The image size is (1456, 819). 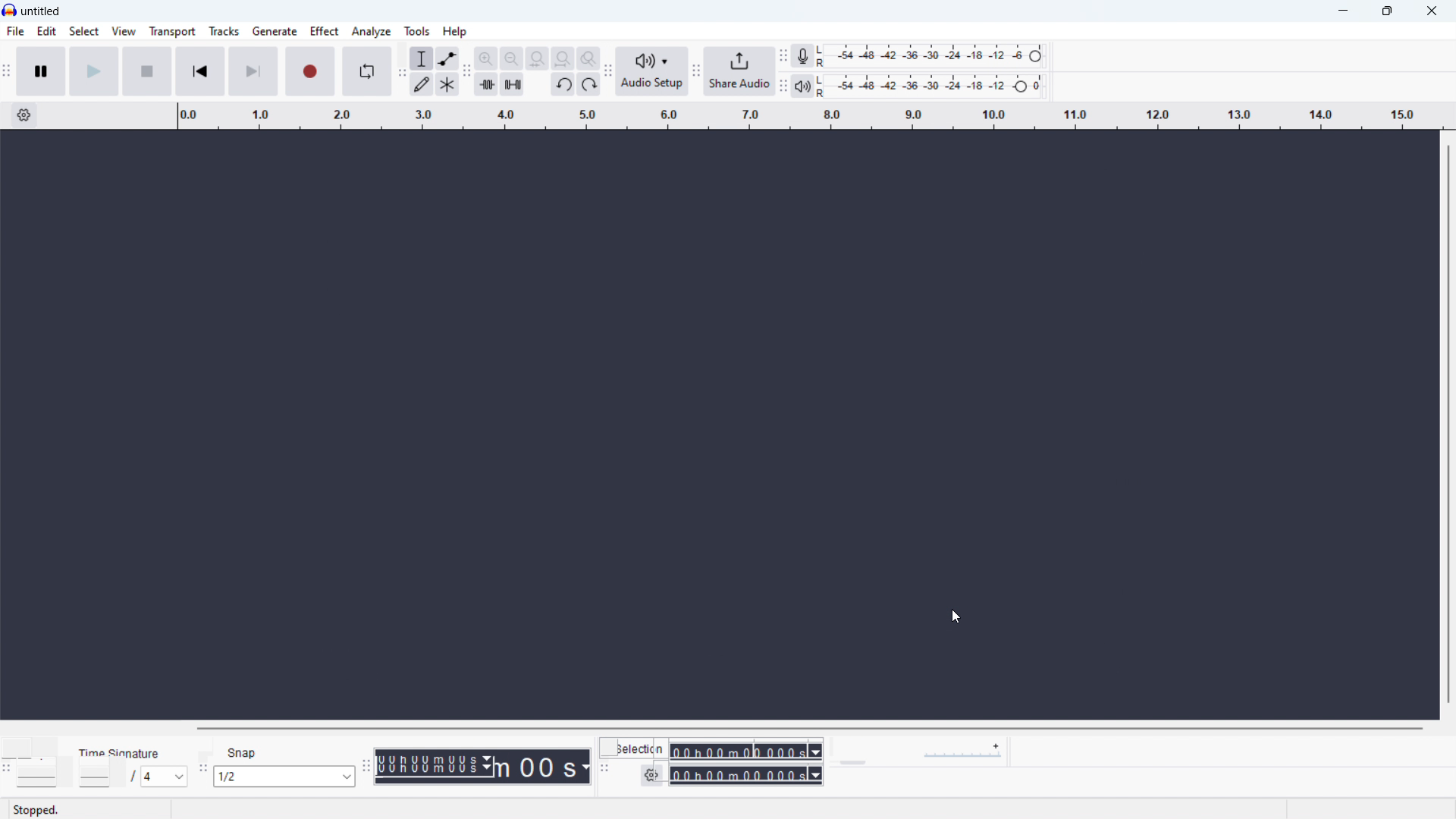 I want to click on analyze, so click(x=371, y=31).